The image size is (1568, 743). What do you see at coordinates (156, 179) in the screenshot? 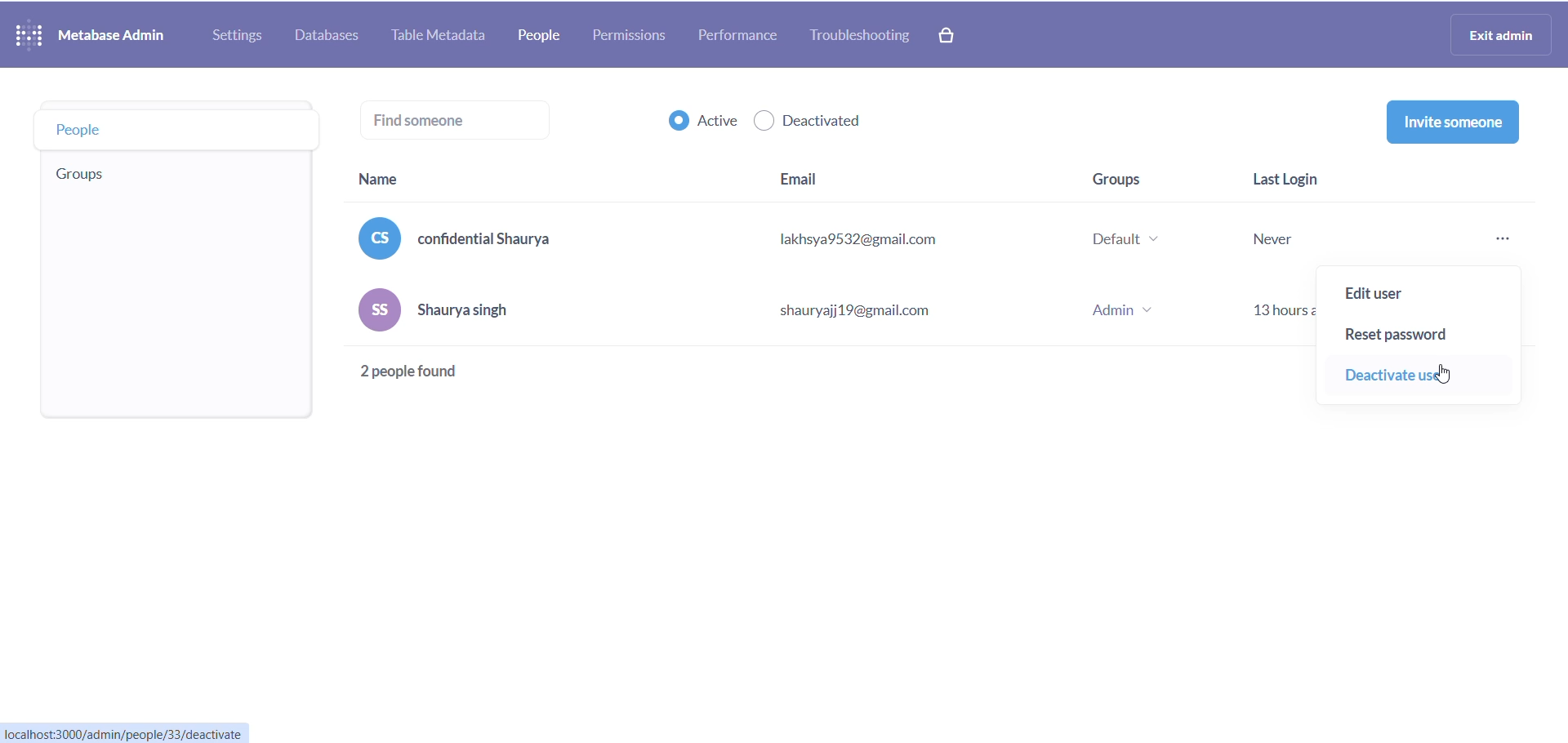
I see `group` at bounding box center [156, 179].